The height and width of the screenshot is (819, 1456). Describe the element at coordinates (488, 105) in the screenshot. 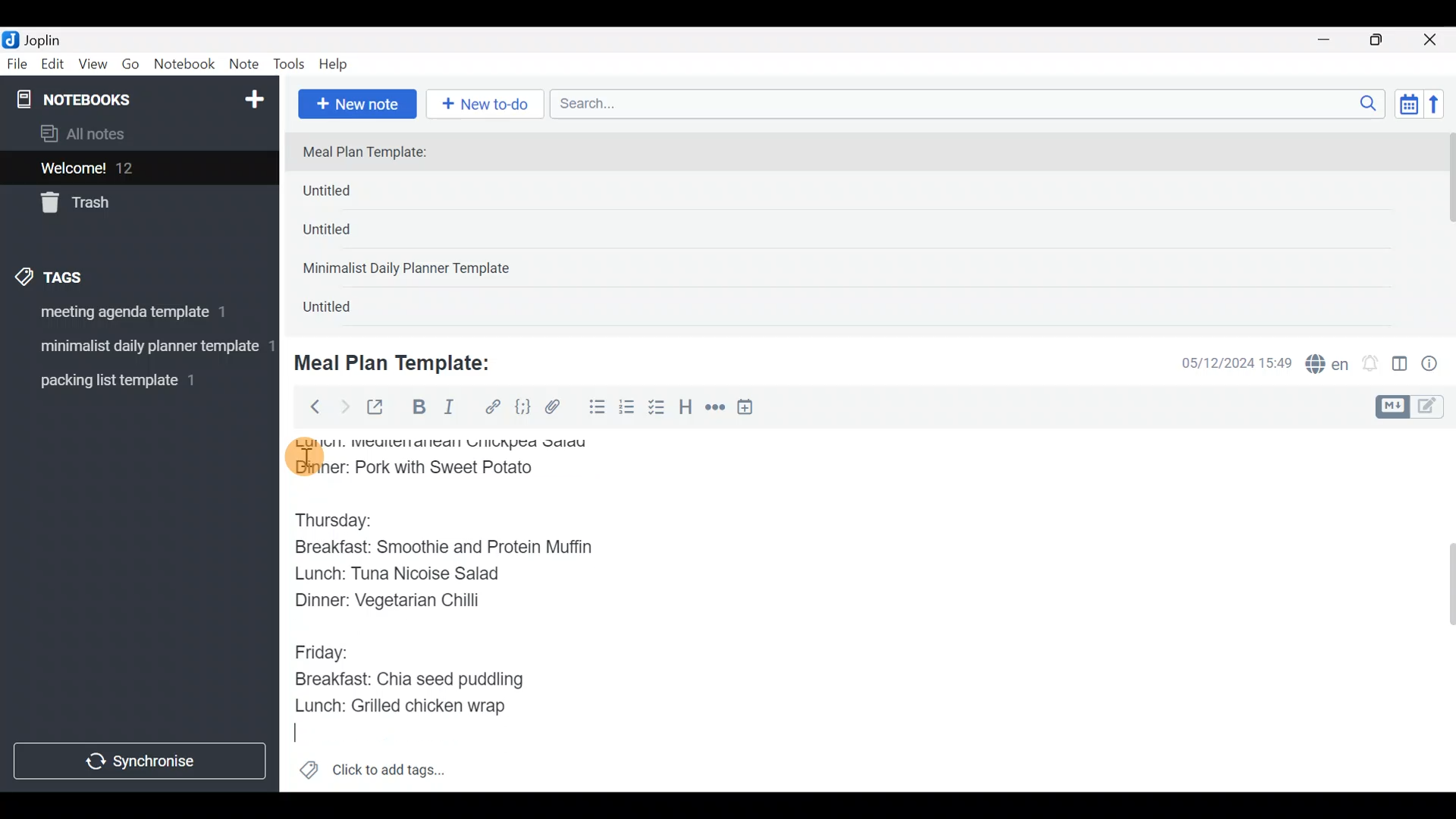

I see `New to-do` at that location.